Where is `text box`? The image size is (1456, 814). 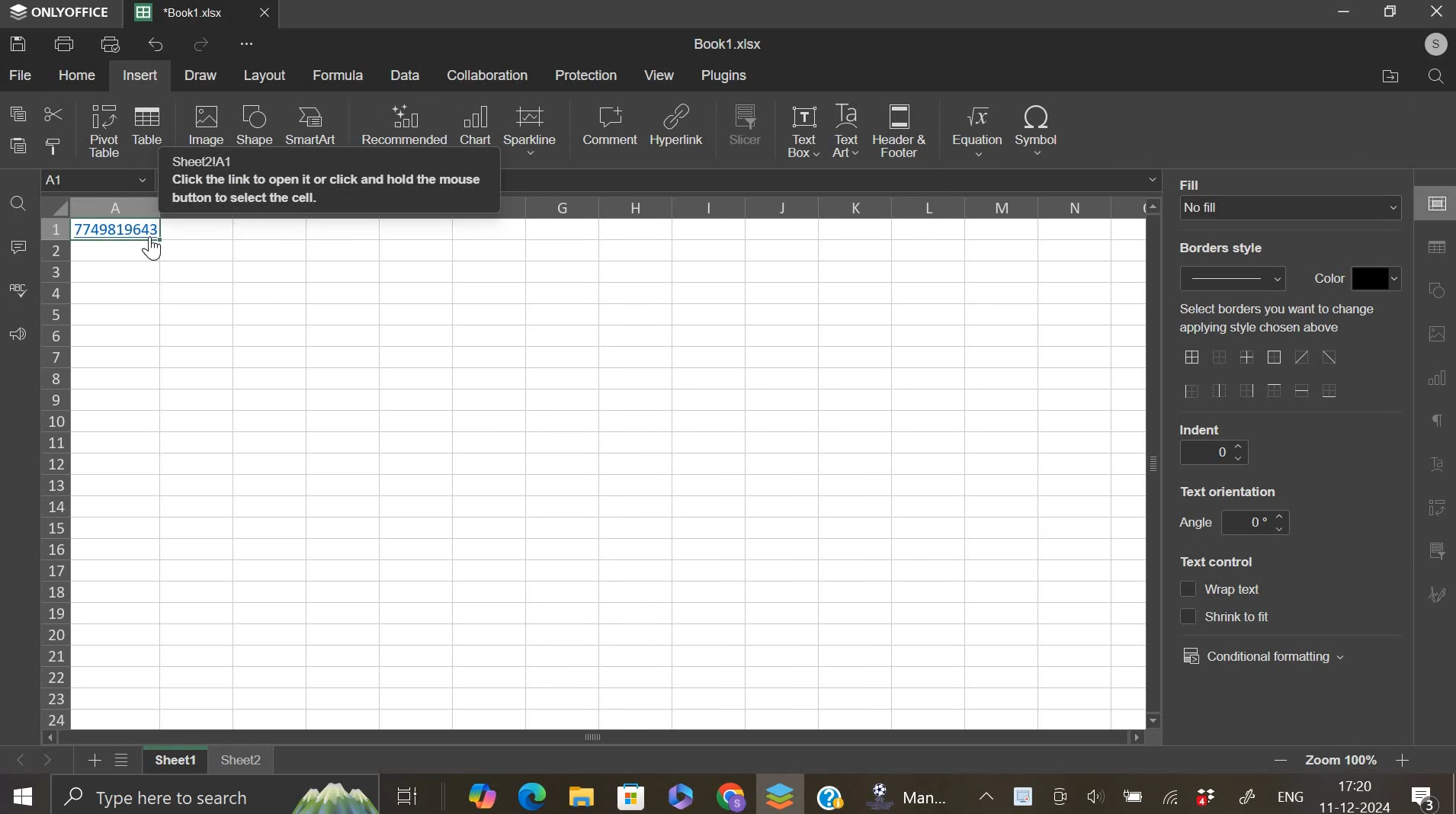
text box is located at coordinates (802, 130).